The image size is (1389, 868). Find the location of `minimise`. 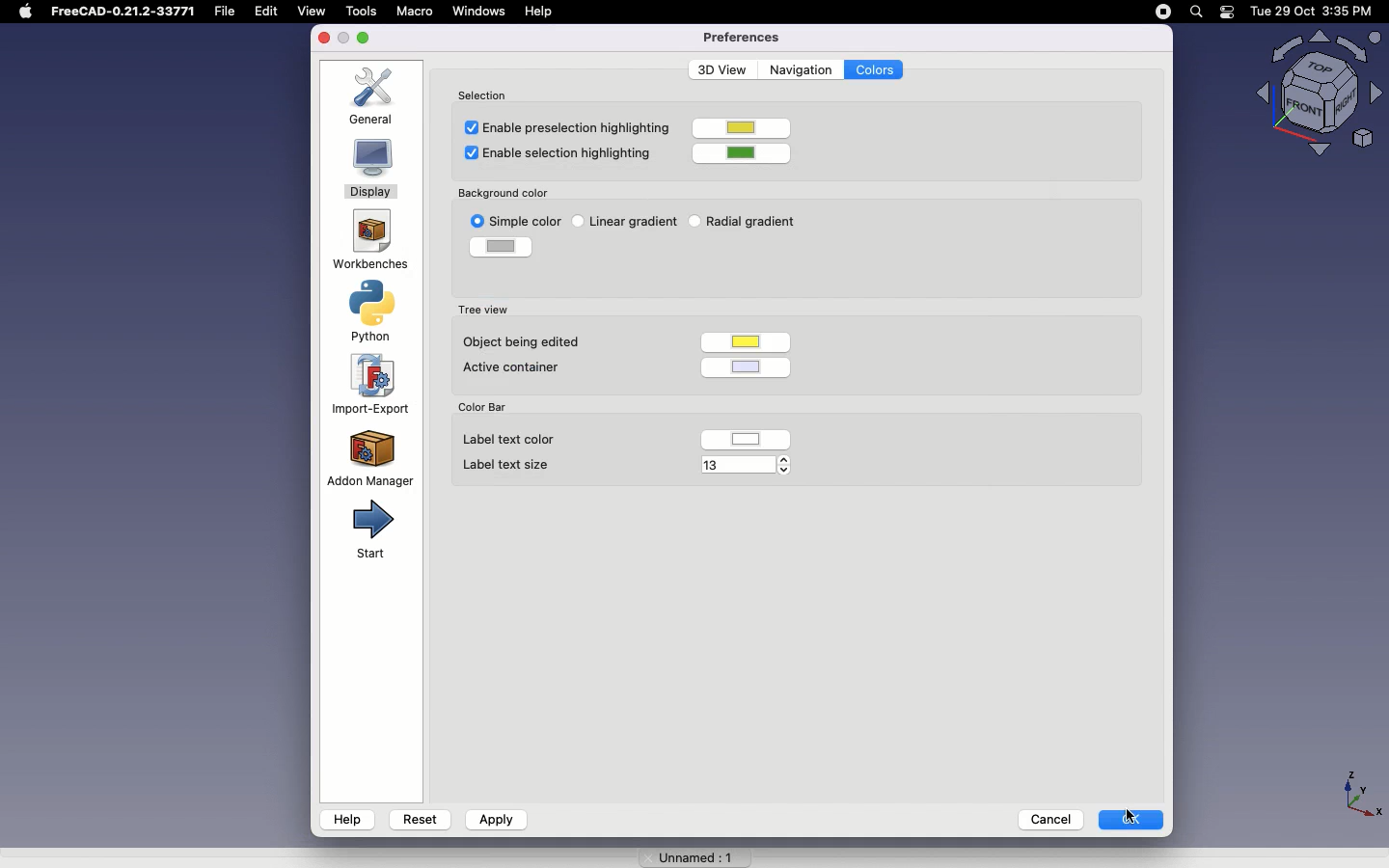

minimise is located at coordinates (343, 40).